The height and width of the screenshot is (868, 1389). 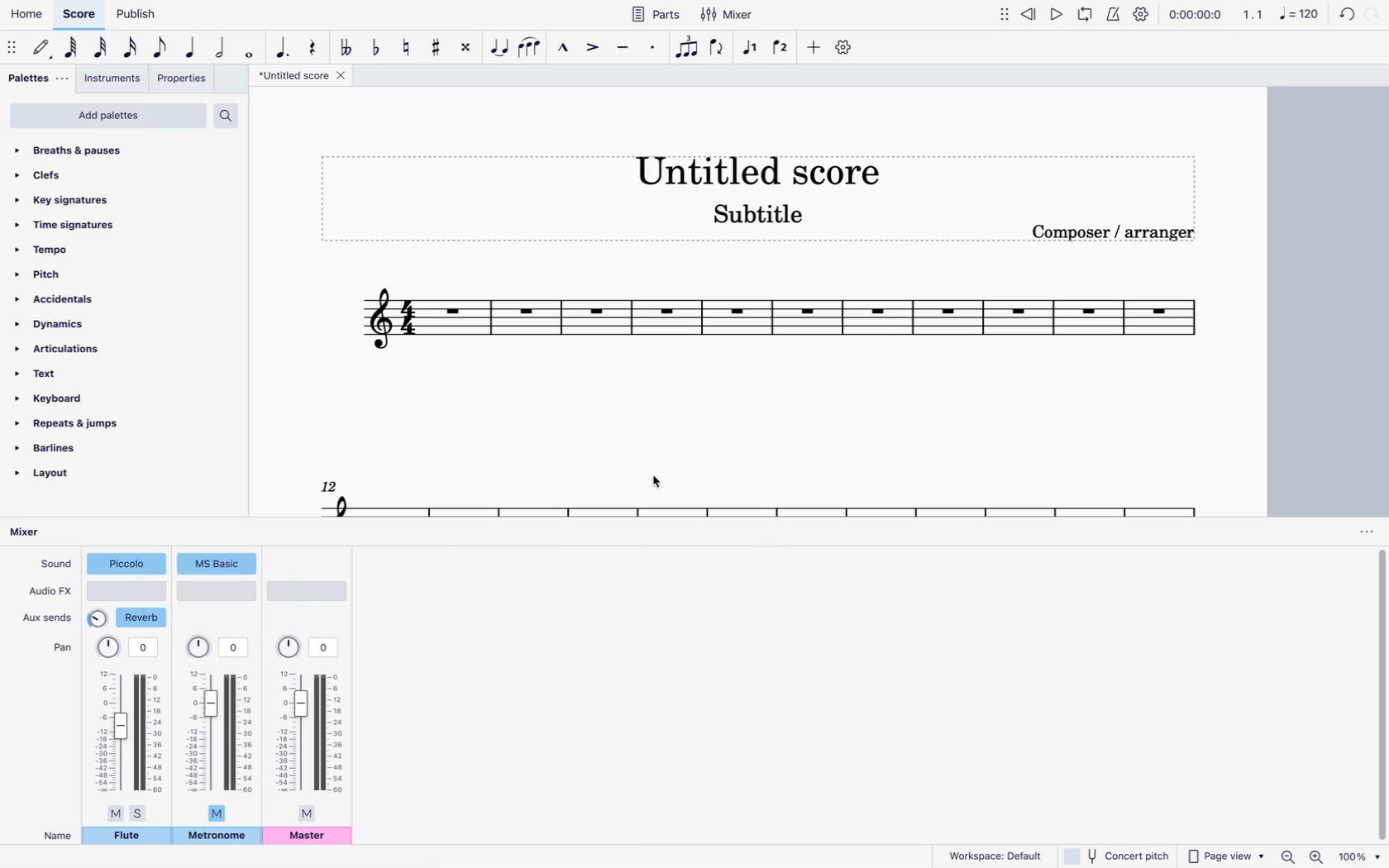 What do you see at coordinates (782, 46) in the screenshot?
I see `voice 2` at bounding box center [782, 46].